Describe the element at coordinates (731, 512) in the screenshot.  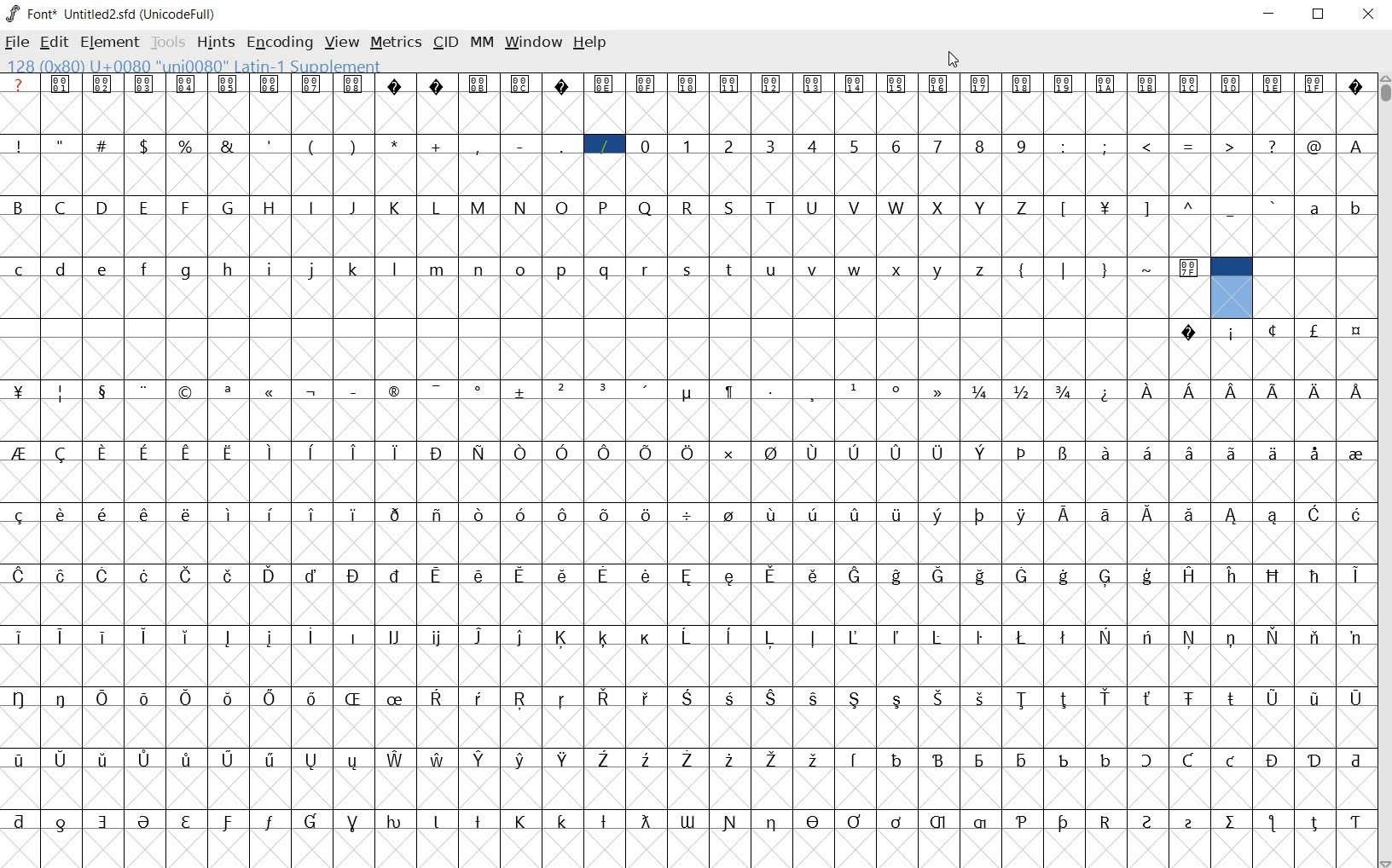
I see `Symbol` at that location.